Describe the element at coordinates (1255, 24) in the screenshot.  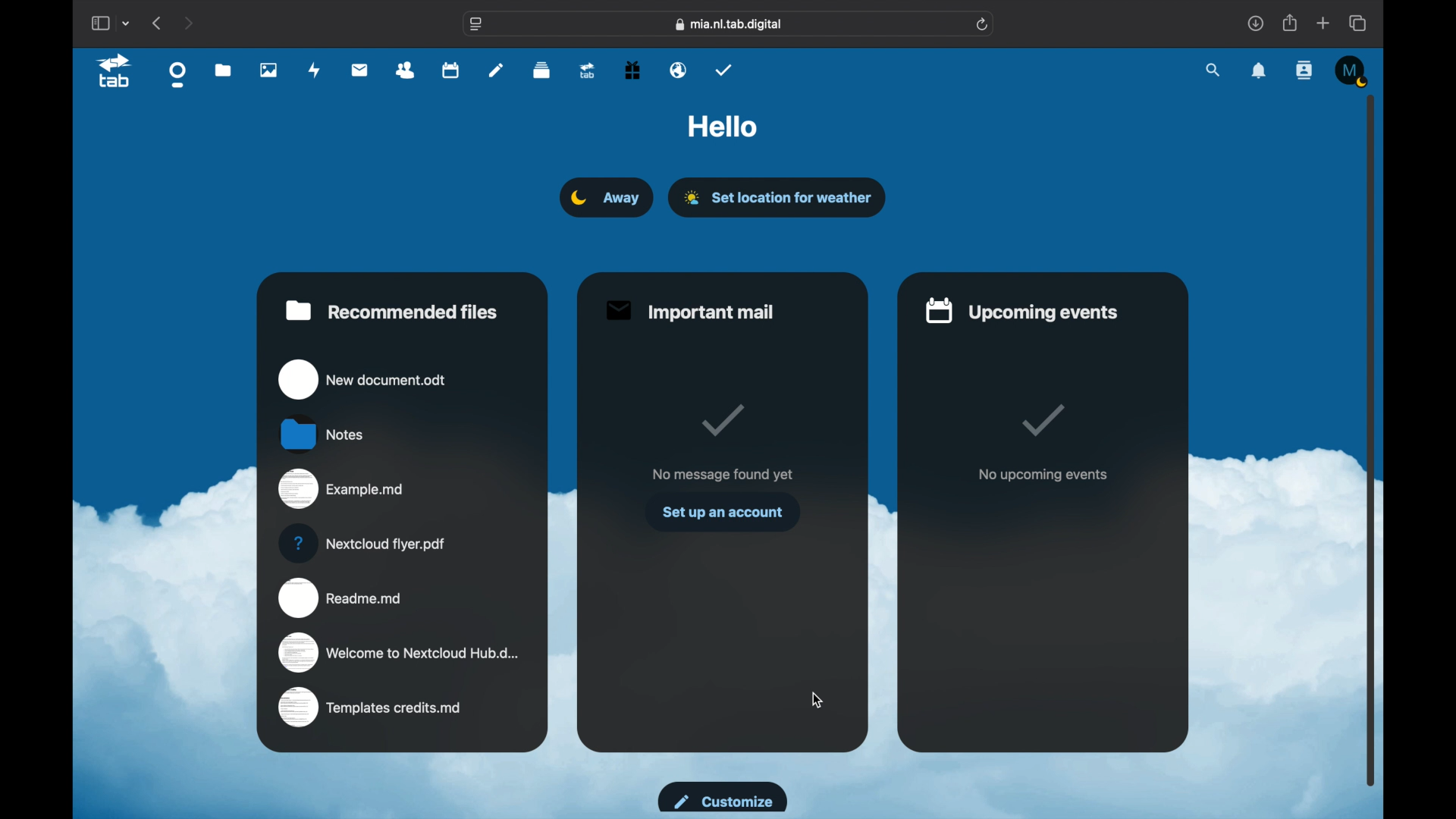
I see `downloads` at that location.